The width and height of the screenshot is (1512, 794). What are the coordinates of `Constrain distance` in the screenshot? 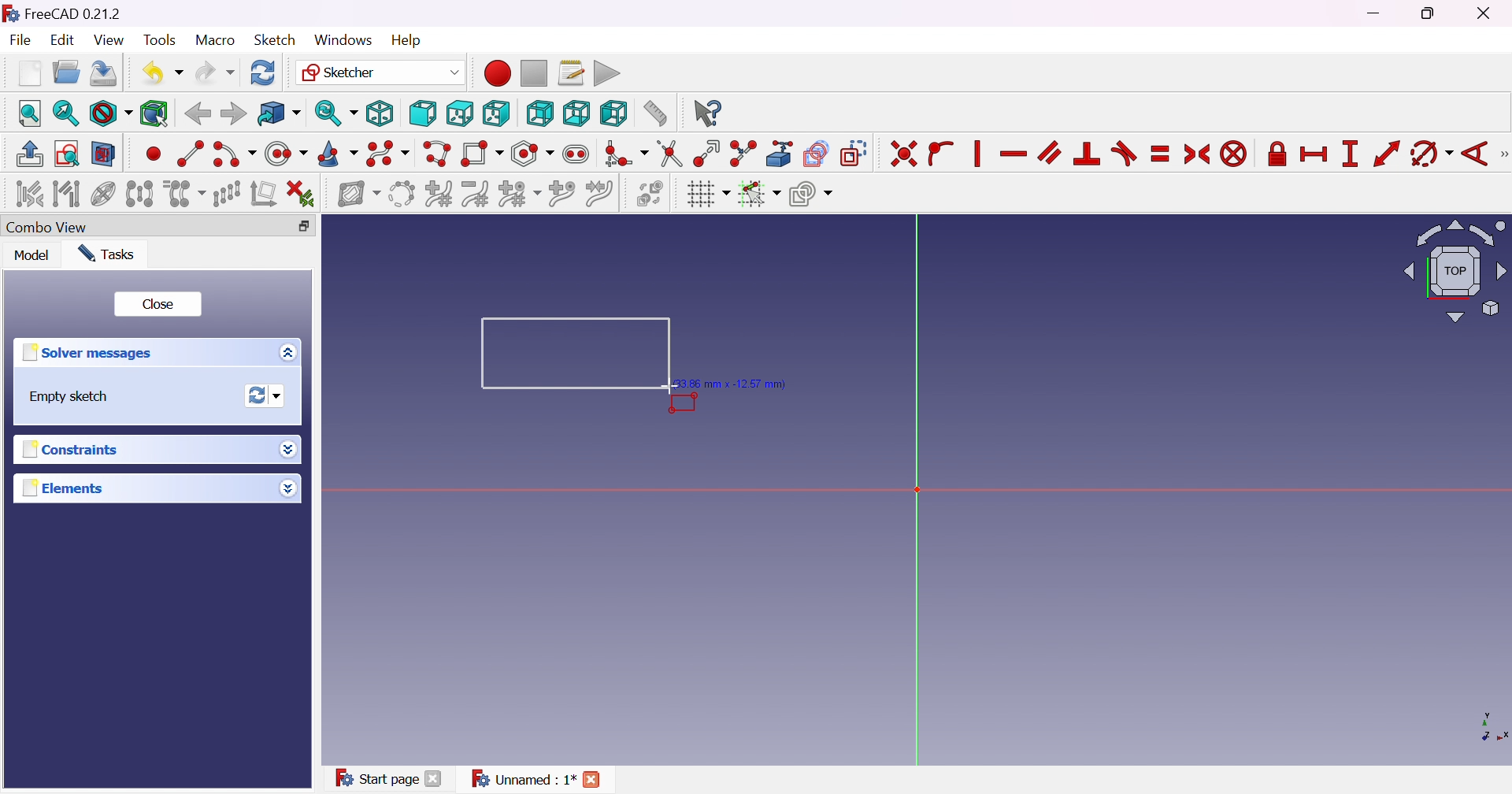 It's located at (1386, 154).